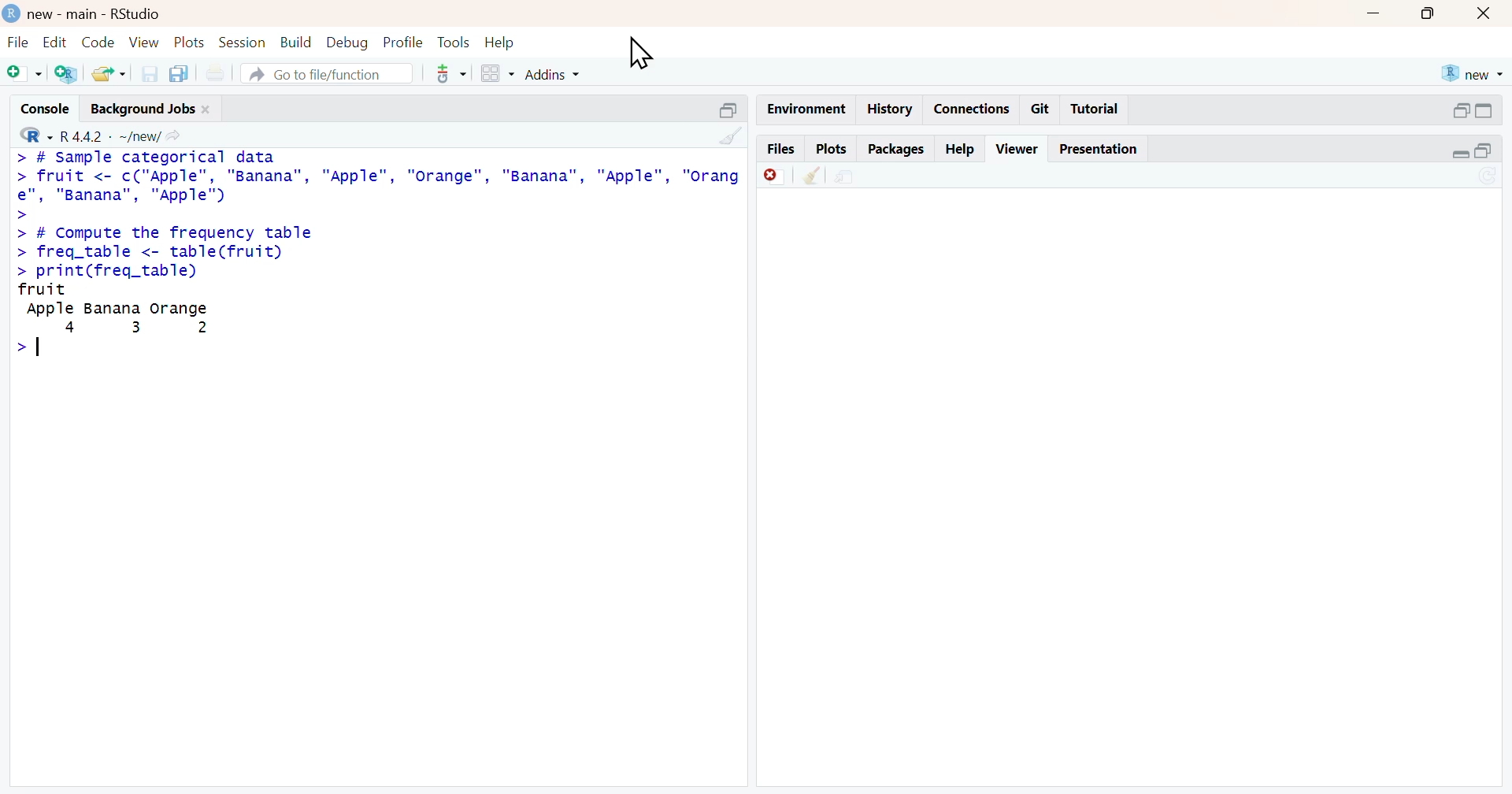  I want to click on history, so click(889, 109).